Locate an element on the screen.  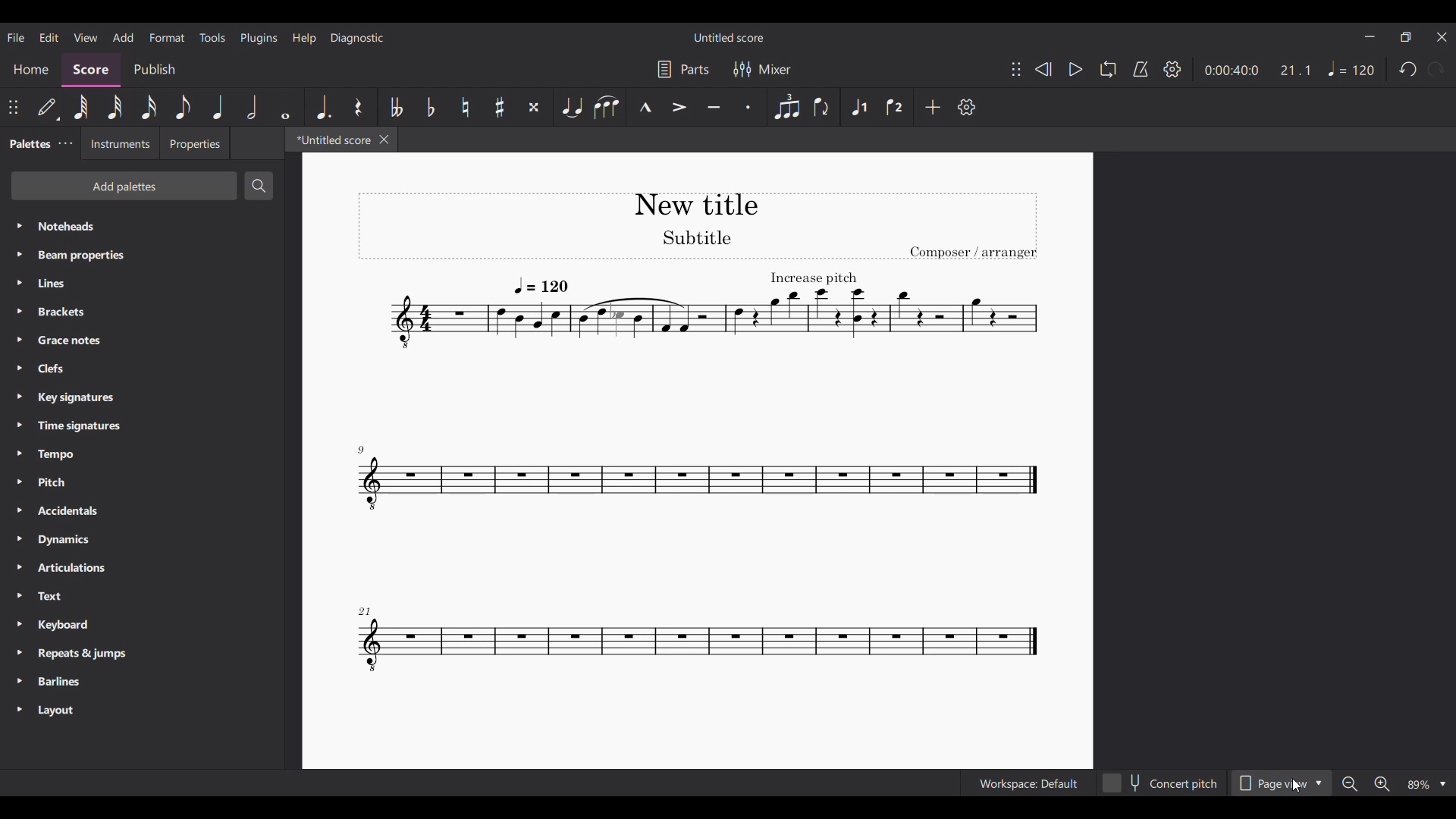
Pitch is located at coordinates (142, 482).